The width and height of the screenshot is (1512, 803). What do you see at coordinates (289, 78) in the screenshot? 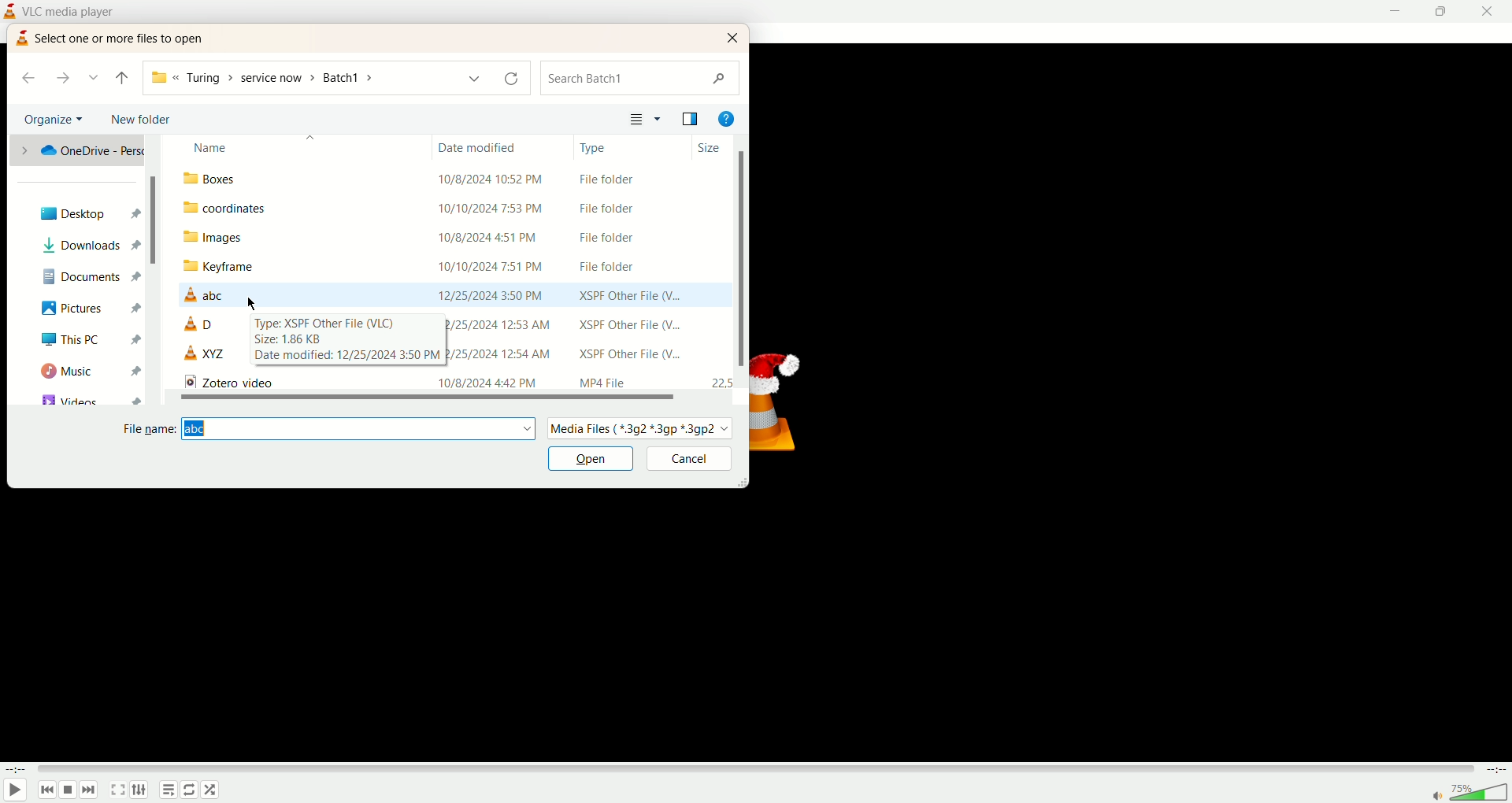
I see `location` at bounding box center [289, 78].